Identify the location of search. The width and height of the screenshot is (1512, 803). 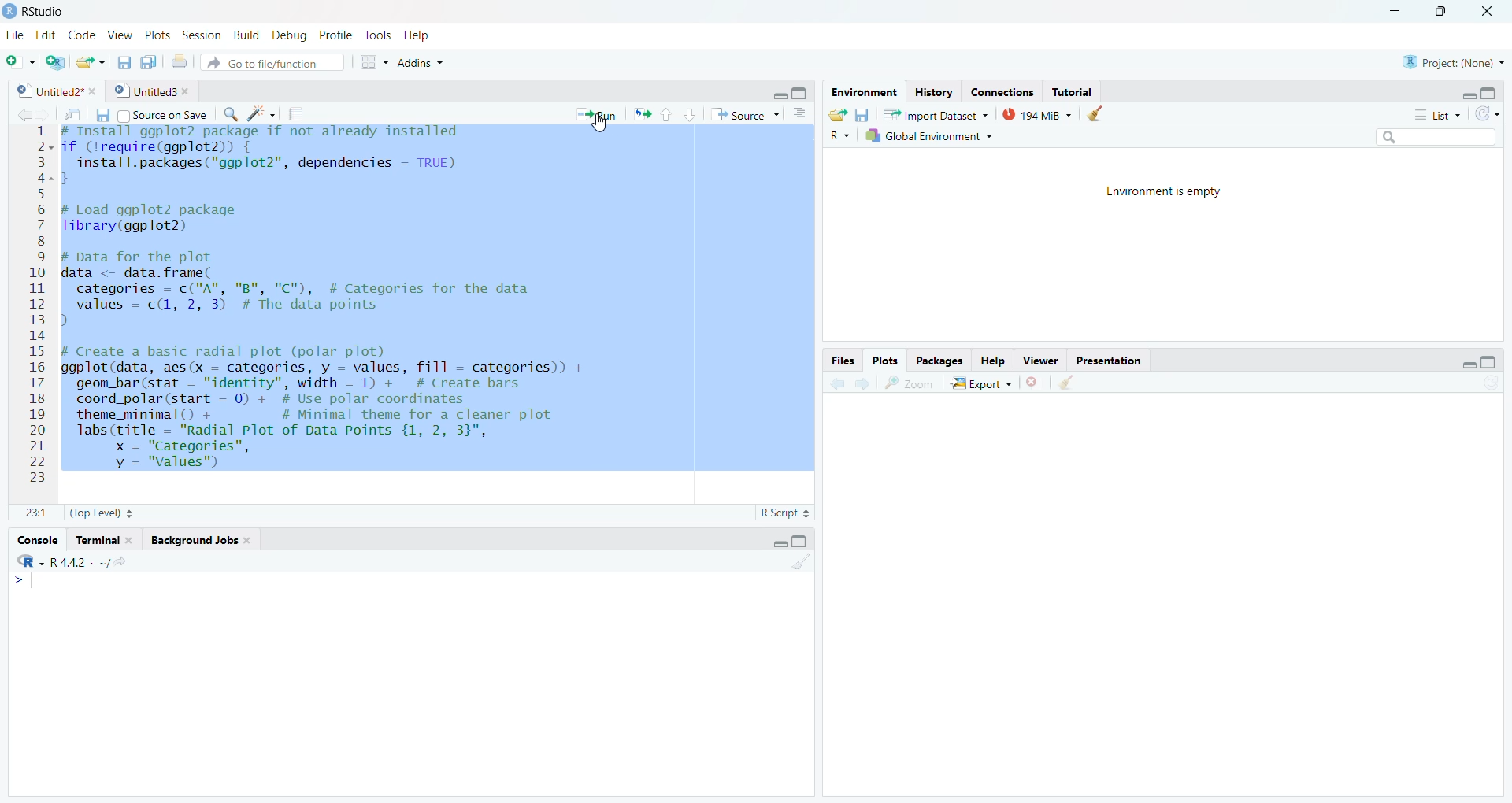
(230, 114).